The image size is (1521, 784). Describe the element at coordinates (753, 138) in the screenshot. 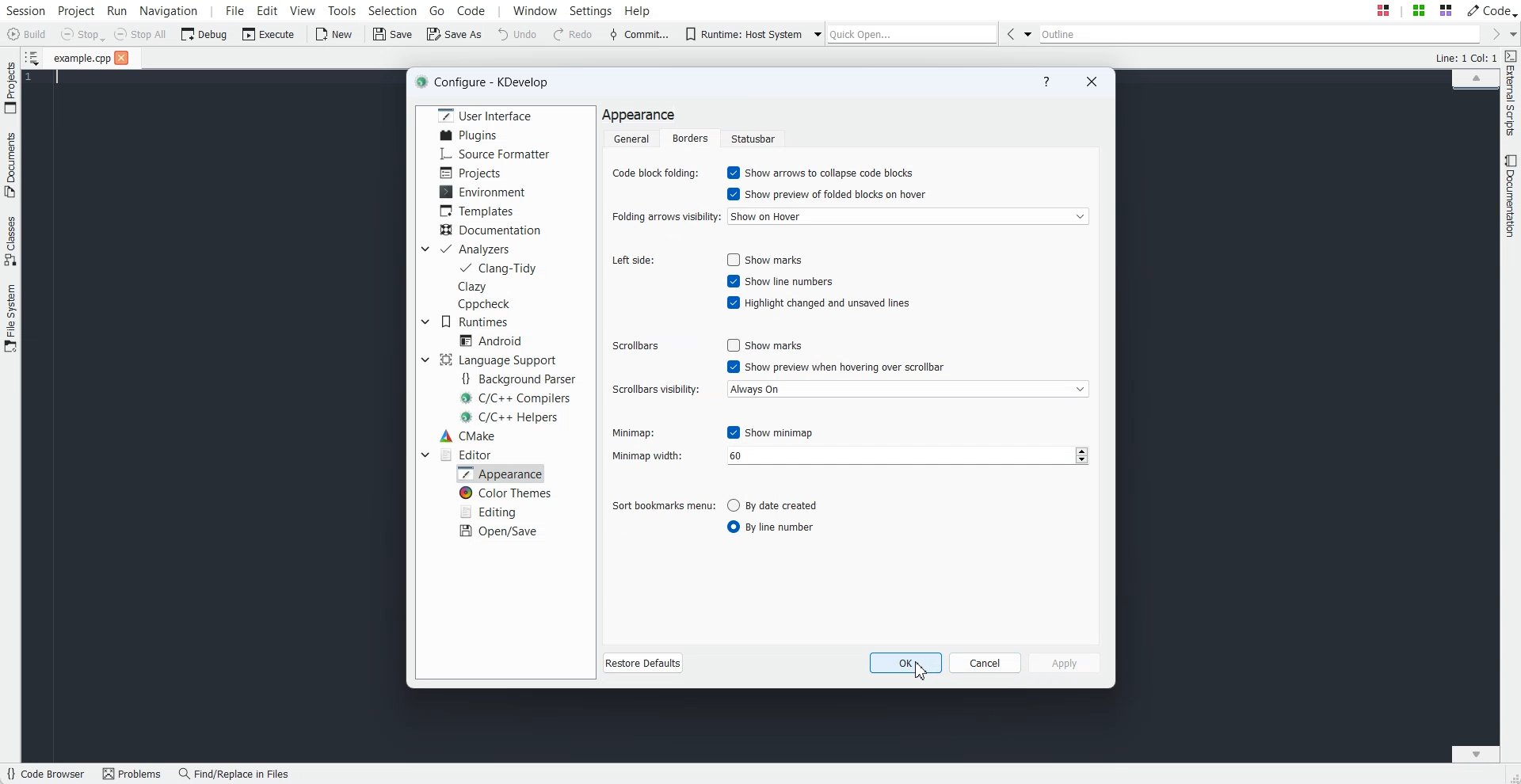

I see `Statusbar` at that location.